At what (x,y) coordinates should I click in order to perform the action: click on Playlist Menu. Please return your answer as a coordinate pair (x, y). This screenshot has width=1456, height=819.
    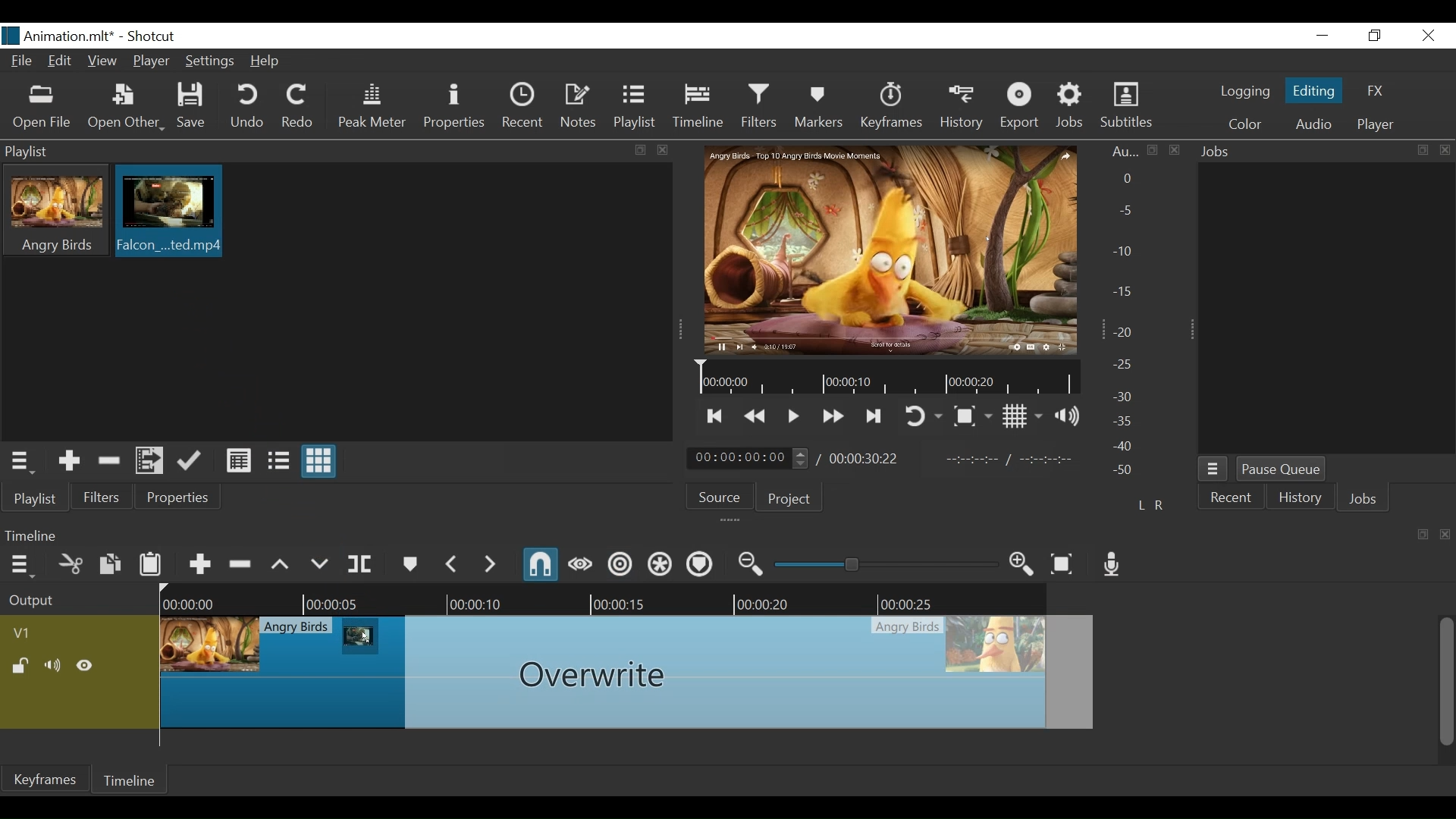
    Looking at the image, I should click on (20, 461).